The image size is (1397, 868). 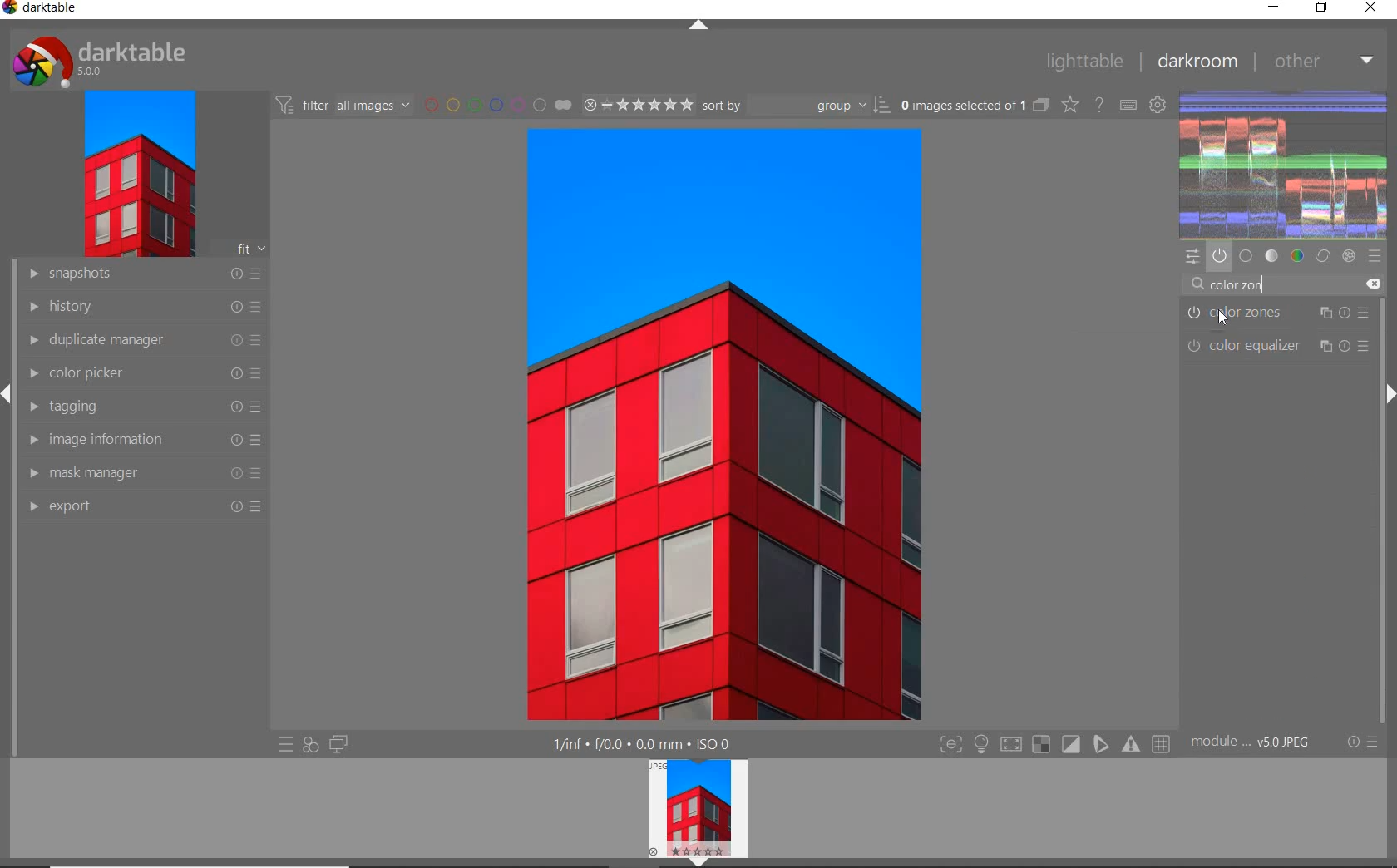 What do you see at coordinates (699, 26) in the screenshot?
I see `expand/collapse` at bounding box center [699, 26].